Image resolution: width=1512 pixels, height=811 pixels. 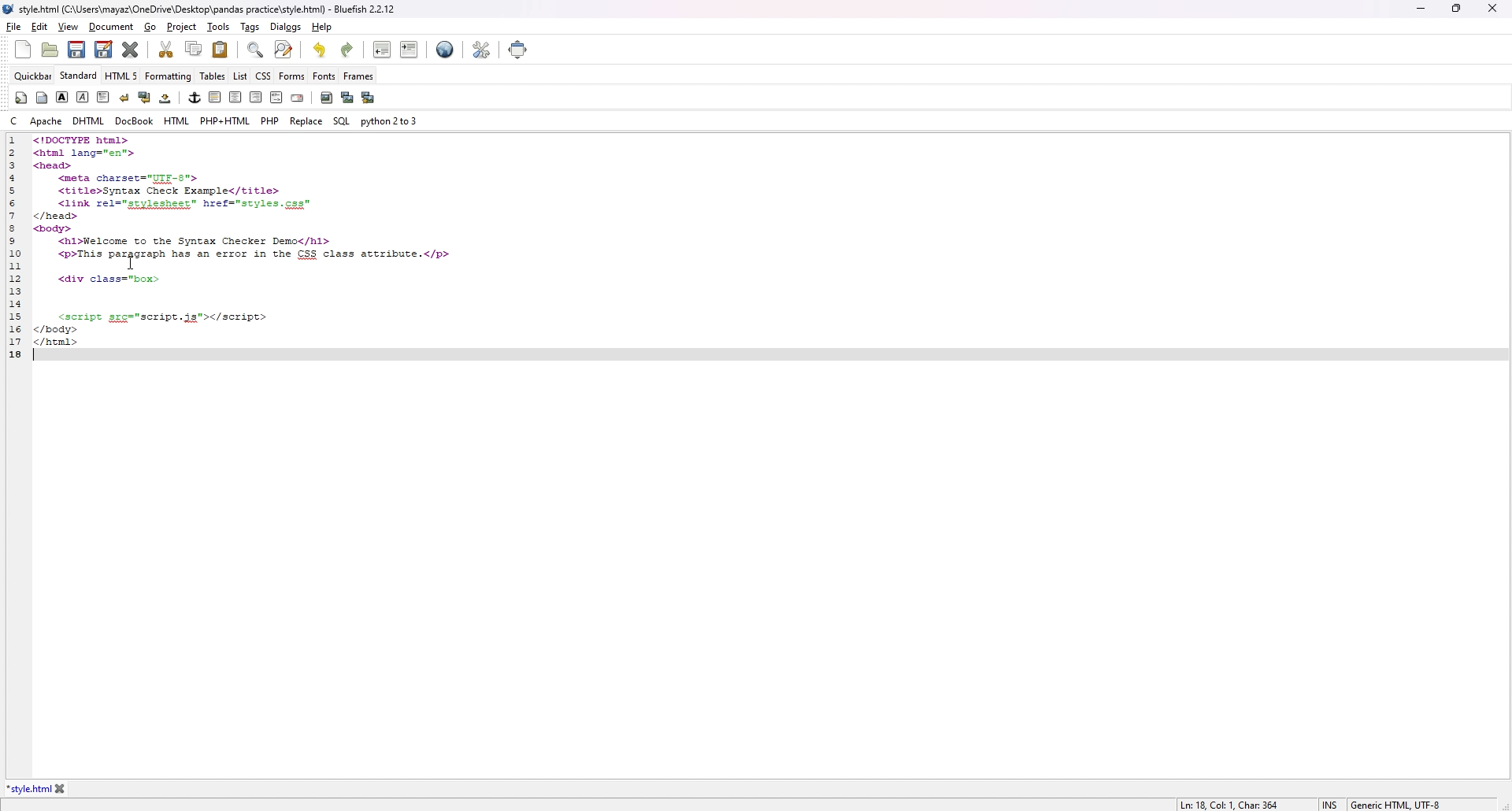 I want to click on unindent, so click(x=383, y=50).